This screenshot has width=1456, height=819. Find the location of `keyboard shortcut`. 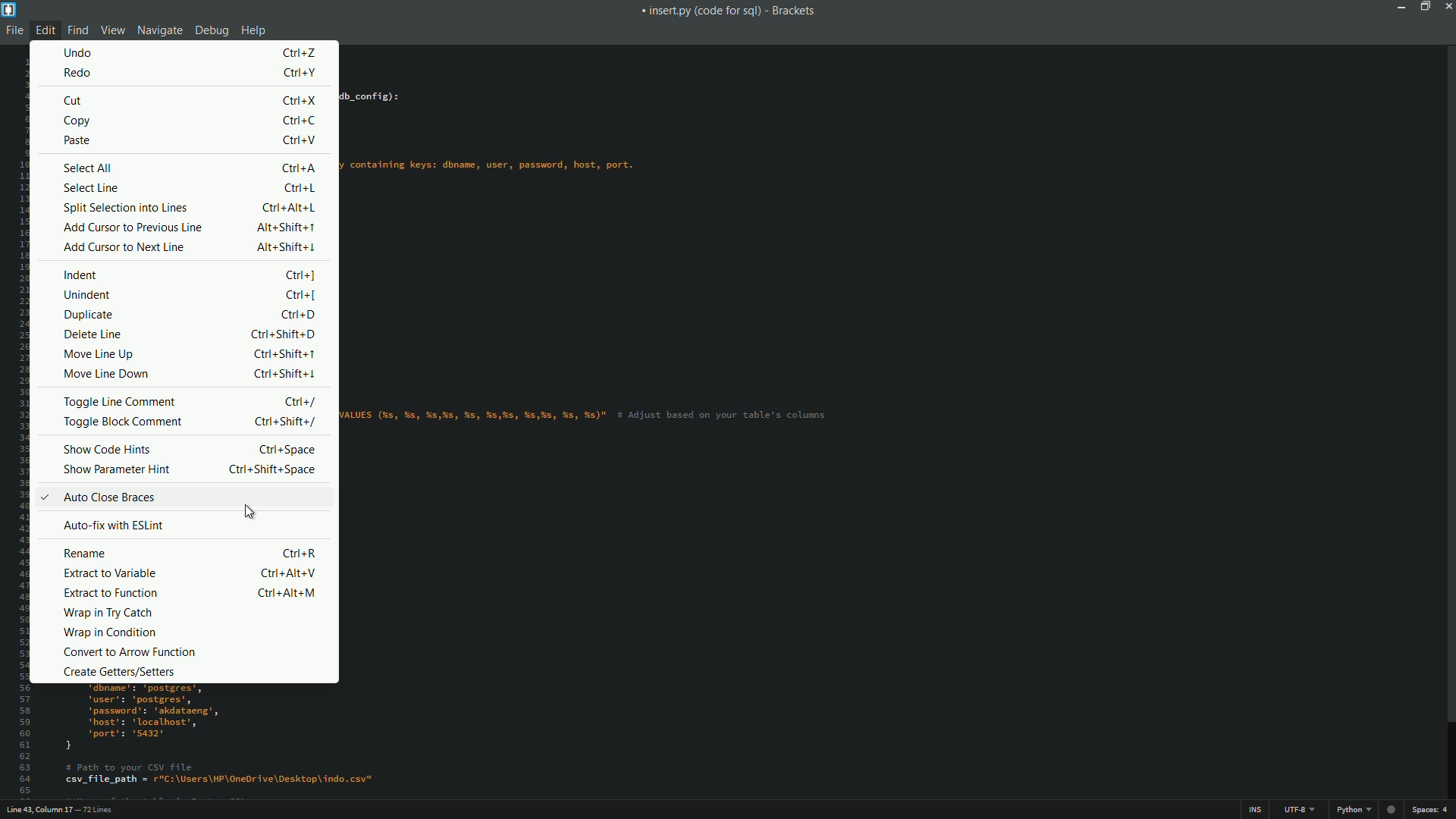

keyboard shortcut is located at coordinates (306, 100).